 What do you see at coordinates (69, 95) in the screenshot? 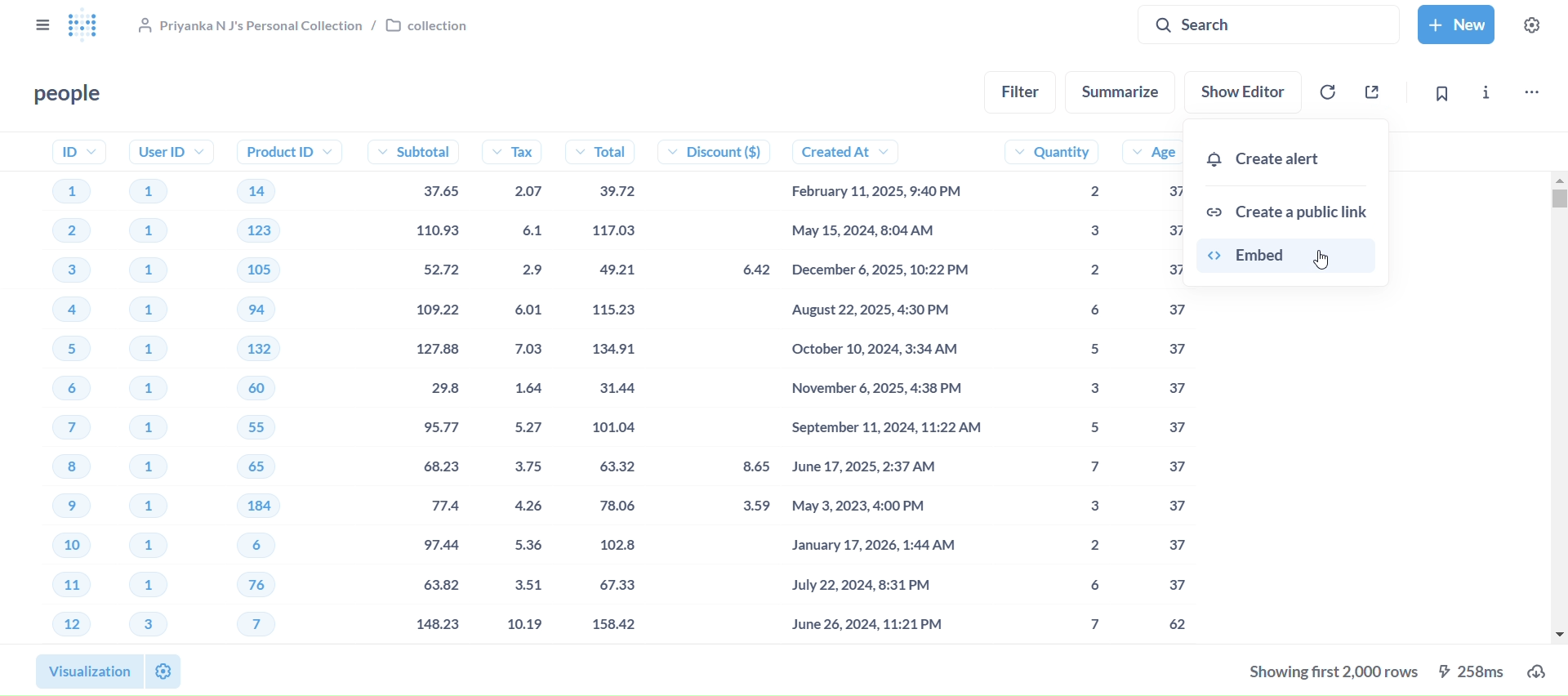
I see `people` at bounding box center [69, 95].